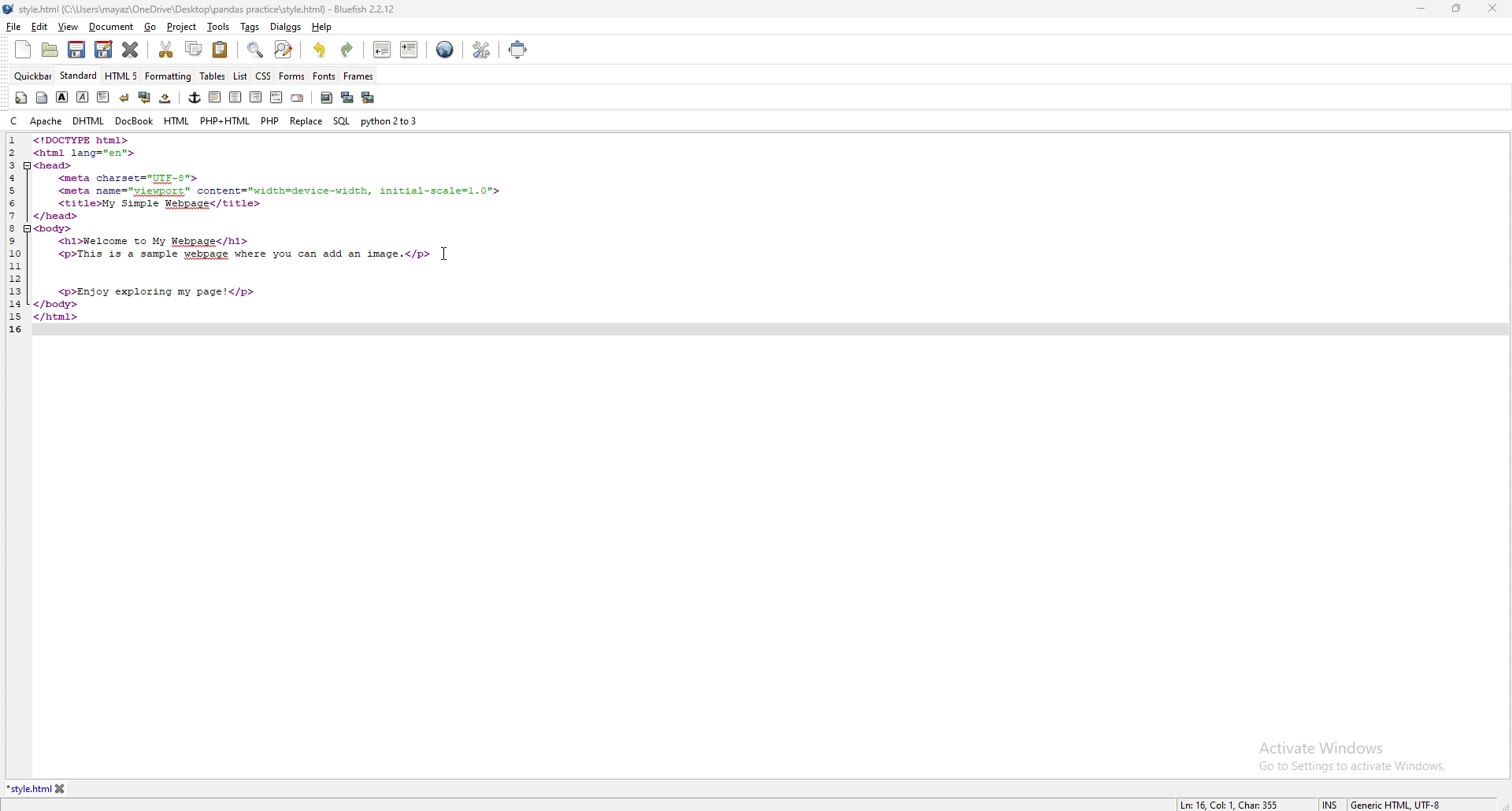 Image resolution: width=1512 pixels, height=811 pixels. Describe the element at coordinates (1233, 804) in the screenshot. I see `Ln: 16 Col: 1 Char: 355` at that location.